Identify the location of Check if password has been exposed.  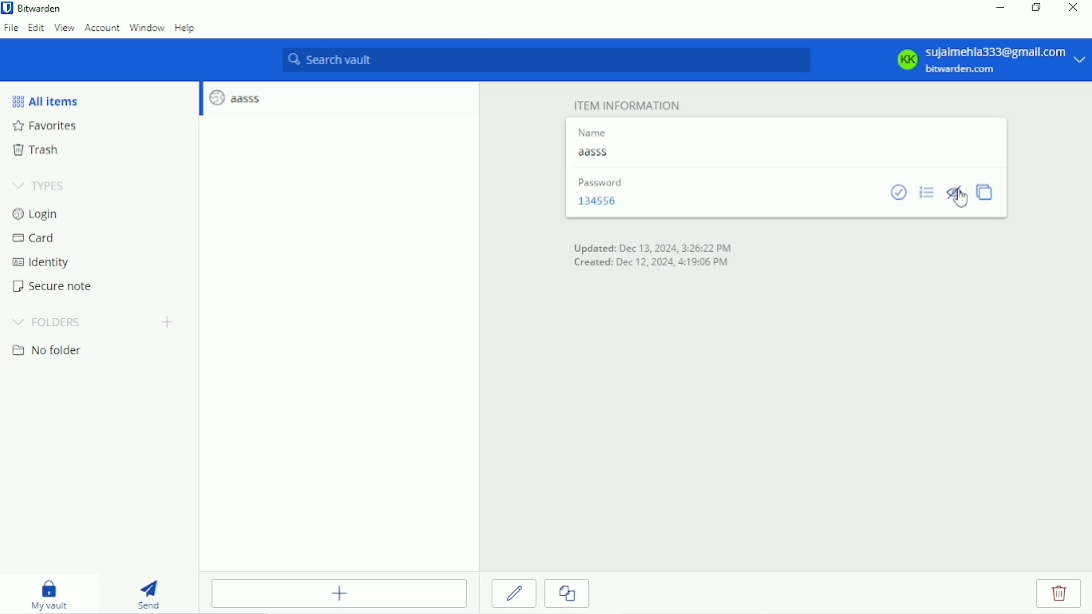
(901, 193).